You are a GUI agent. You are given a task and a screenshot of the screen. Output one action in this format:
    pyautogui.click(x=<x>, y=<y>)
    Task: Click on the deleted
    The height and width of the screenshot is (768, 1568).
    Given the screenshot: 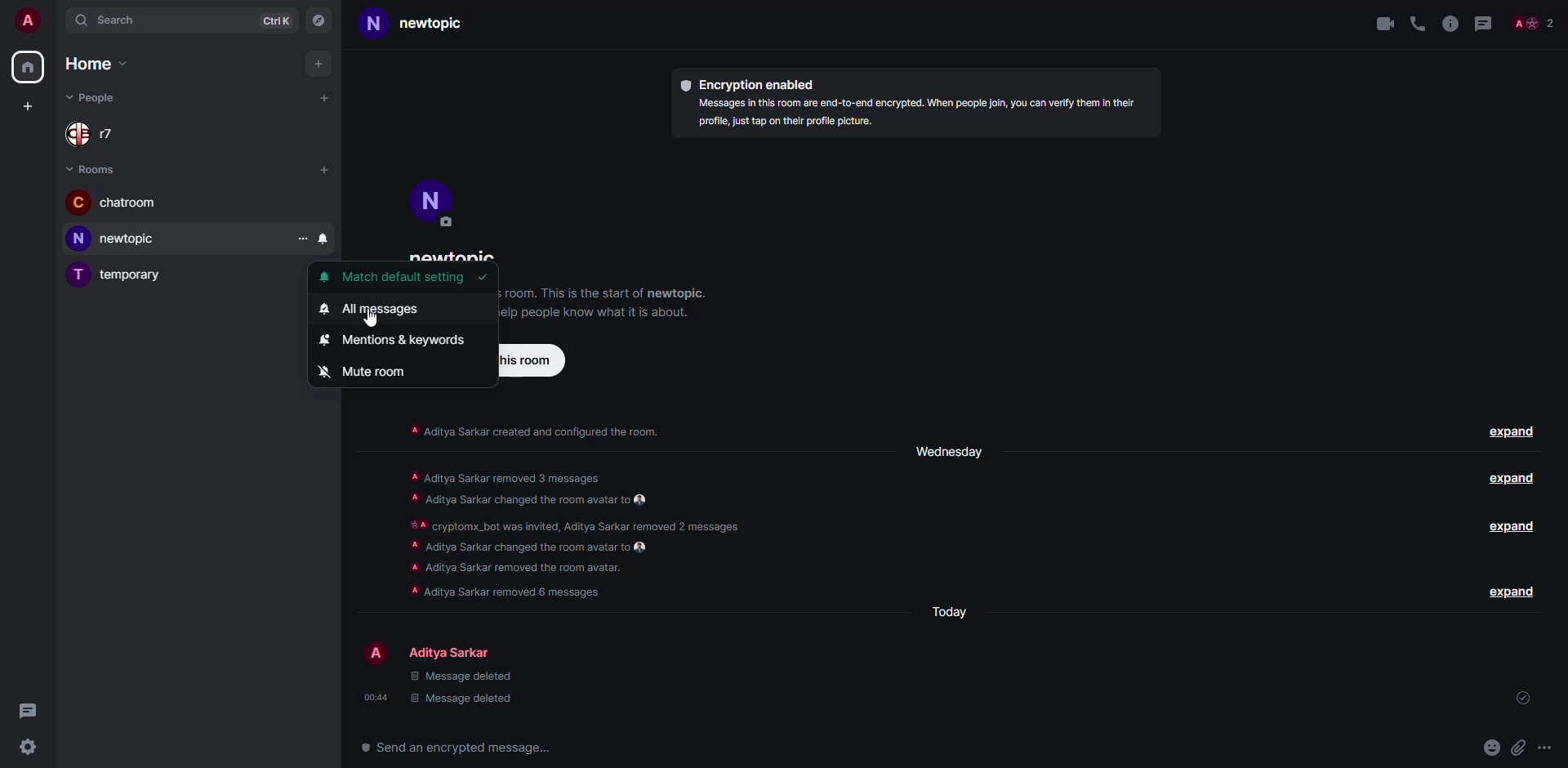 What is the action you would take?
    pyautogui.click(x=463, y=687)
    